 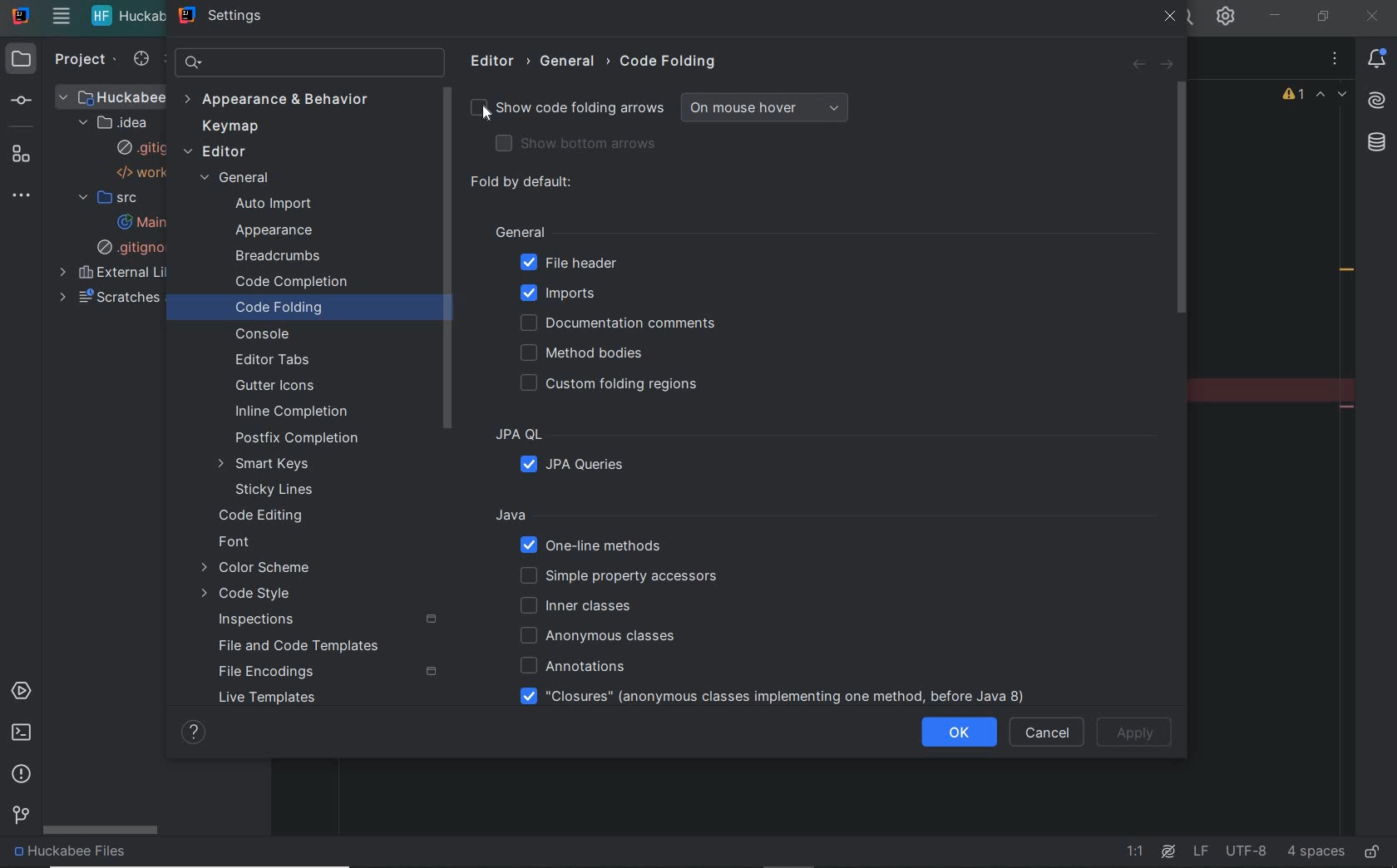 What do you see at coordinates (25, 691) in the screenshot?
I see `services` at bounding box center [25, 691].